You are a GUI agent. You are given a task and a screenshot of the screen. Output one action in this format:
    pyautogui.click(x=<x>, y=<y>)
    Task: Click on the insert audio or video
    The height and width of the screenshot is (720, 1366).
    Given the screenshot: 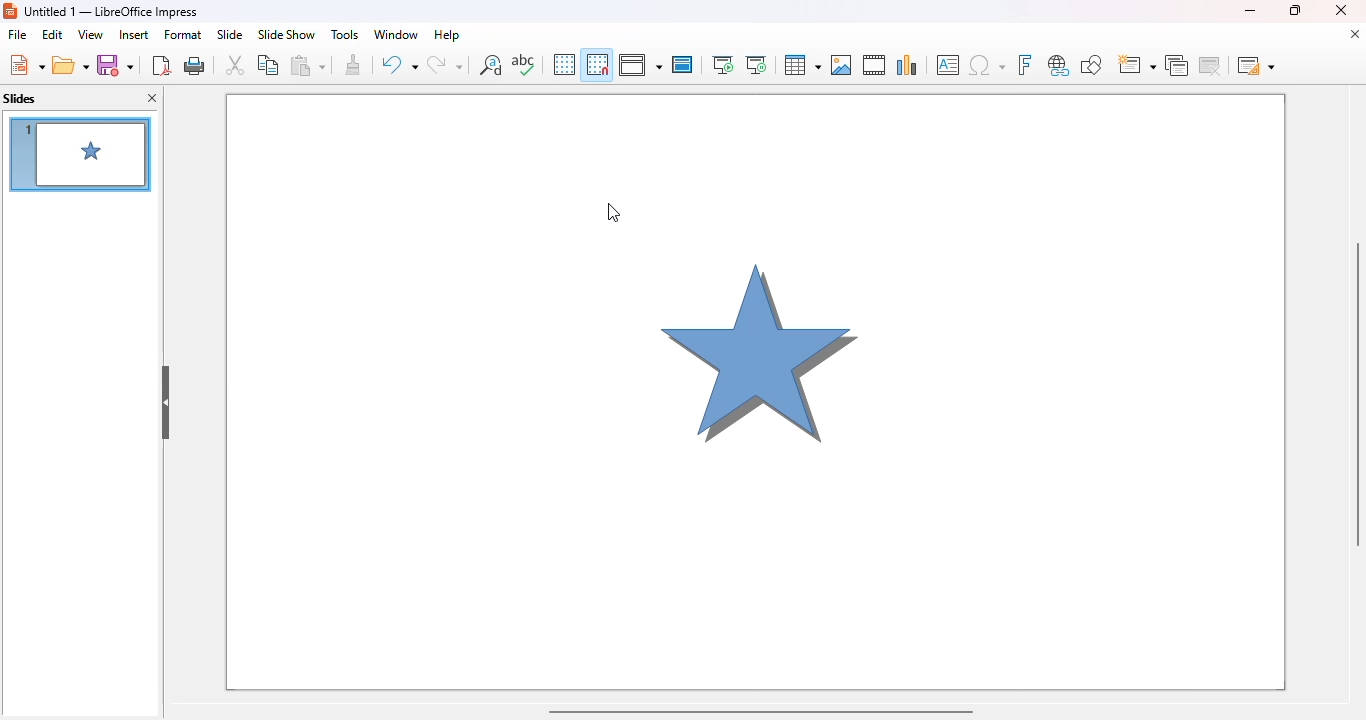 What is the action you would take?
    pyautogui.click(x=875, y=65)
    